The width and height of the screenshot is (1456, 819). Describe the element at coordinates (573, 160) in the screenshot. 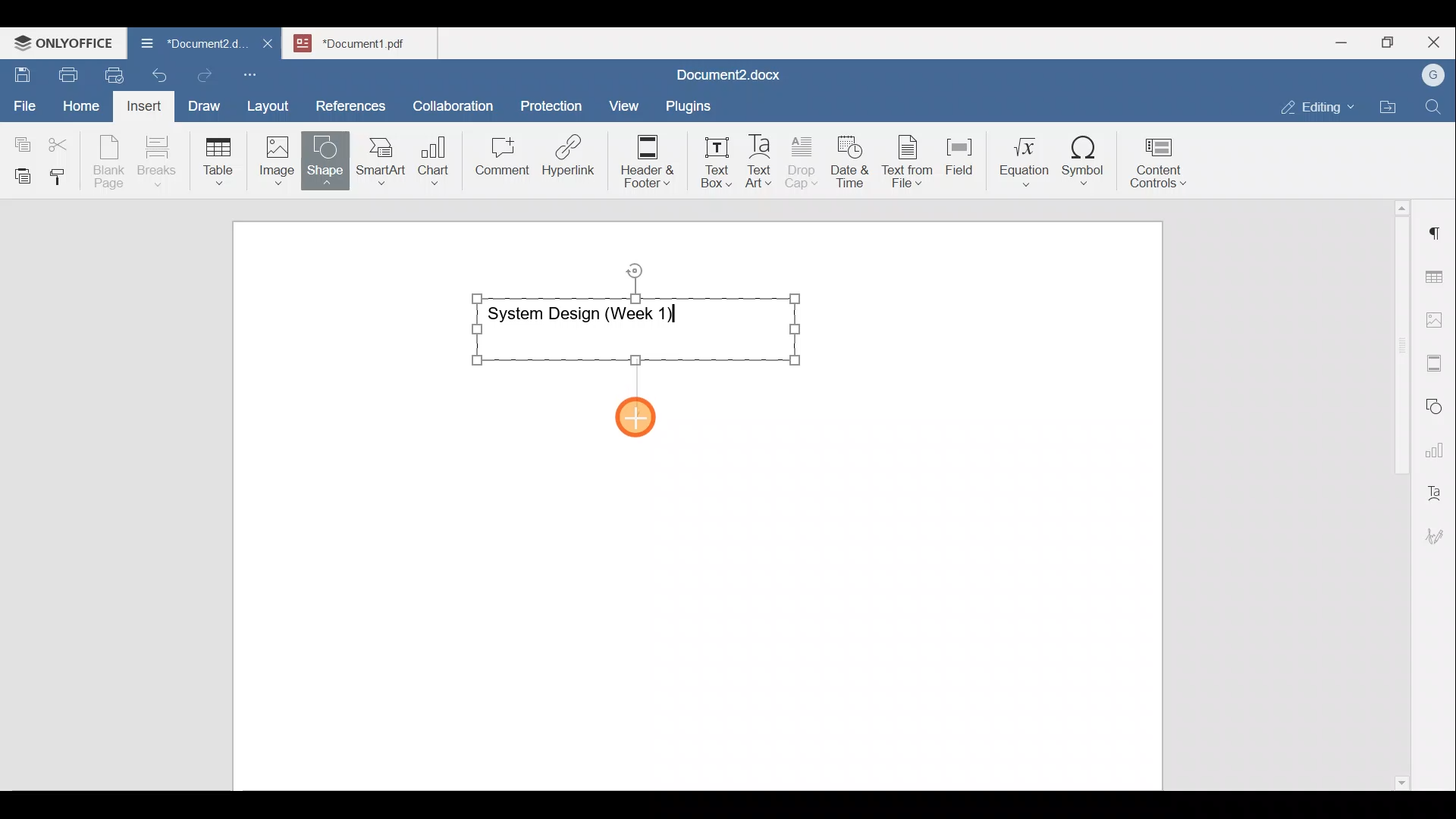

I see `Hyperlink` at that location.